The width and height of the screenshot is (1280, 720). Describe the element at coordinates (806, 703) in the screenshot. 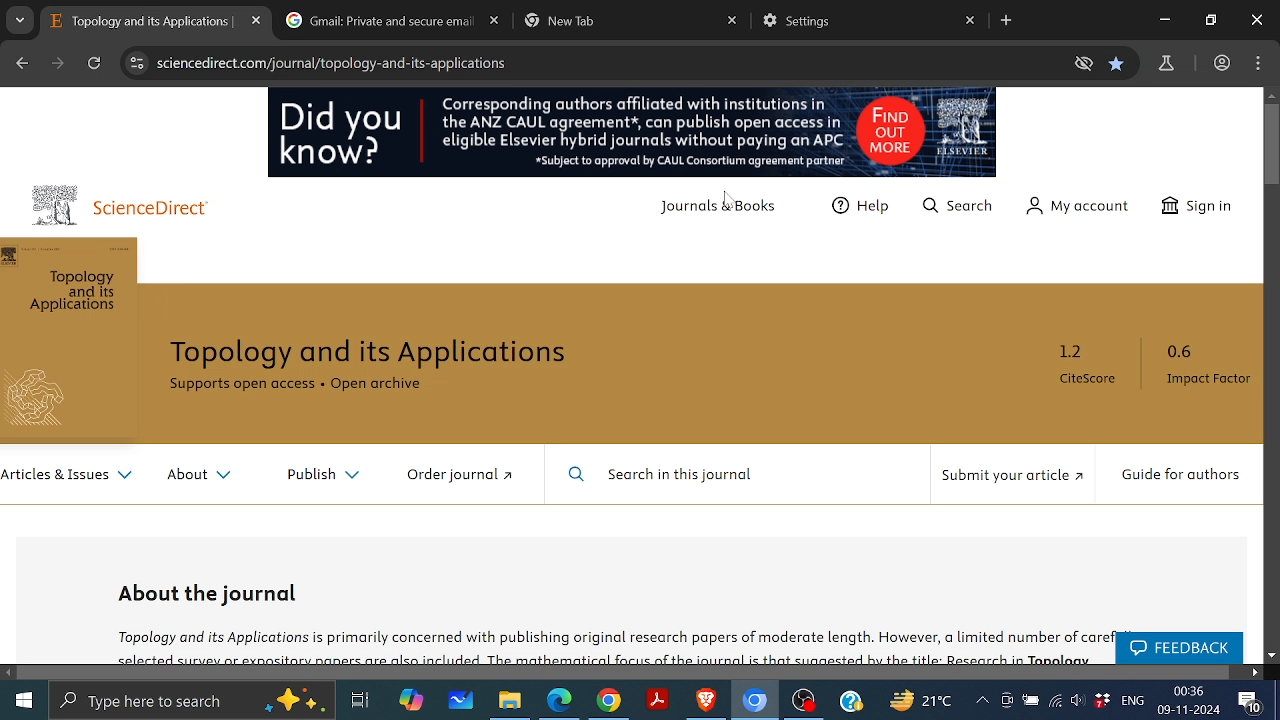

I see `obs studio` at that location.